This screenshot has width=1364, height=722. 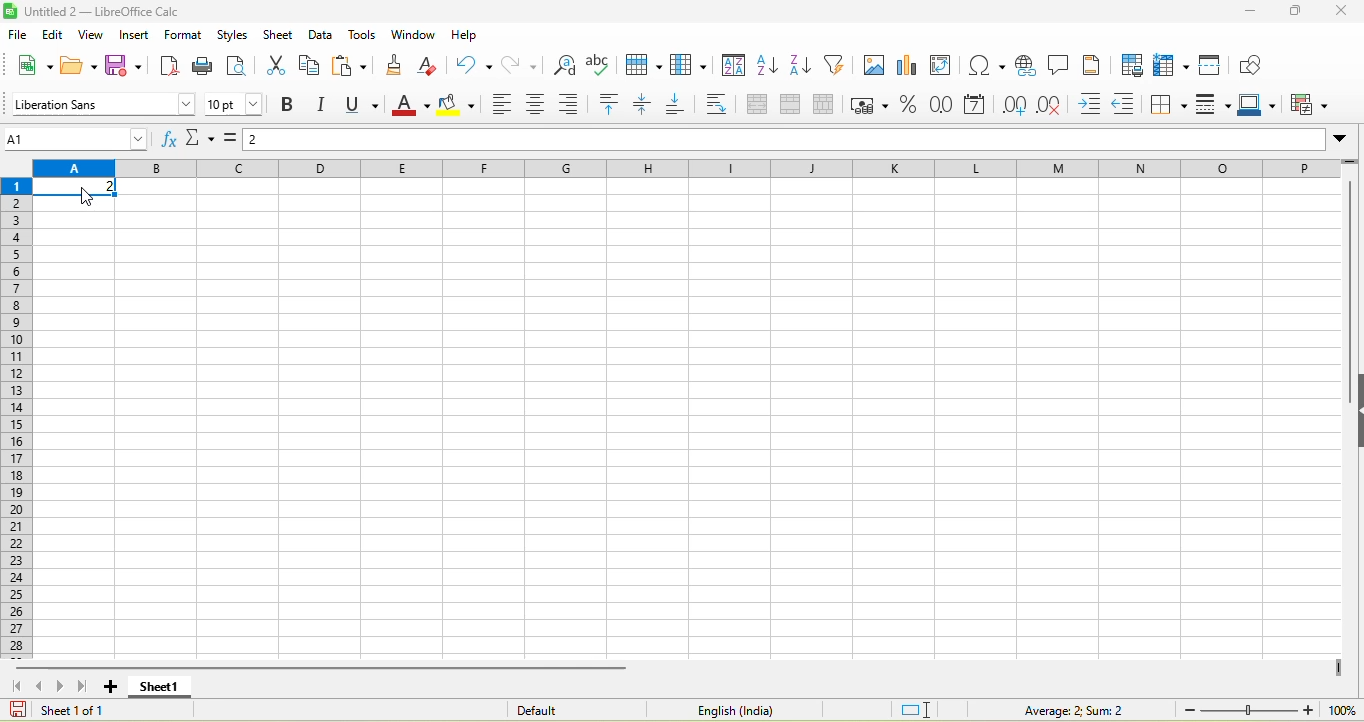 I want to click on rows, so click(x=17, y=417).